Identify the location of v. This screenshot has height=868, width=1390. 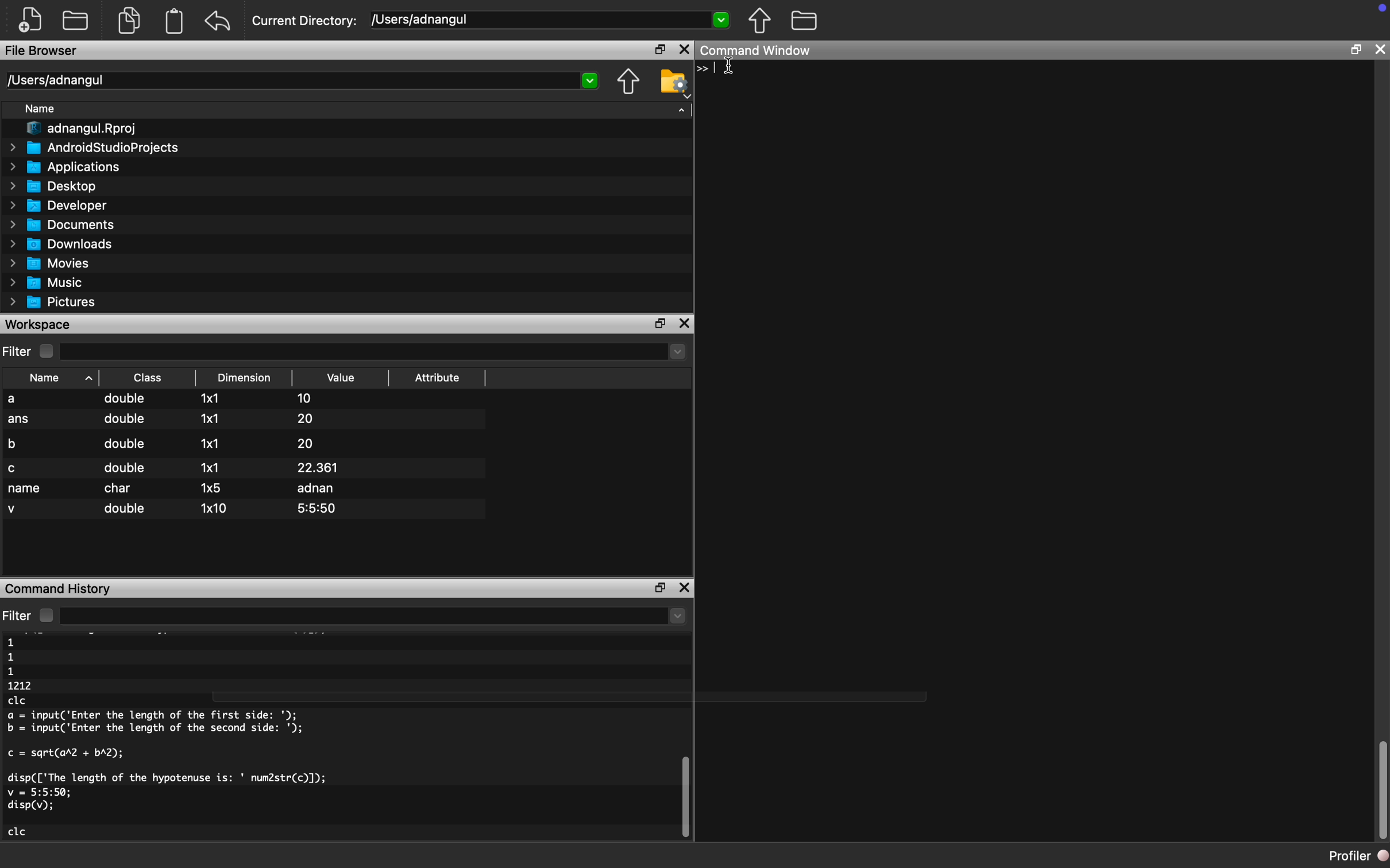
(14, 510).